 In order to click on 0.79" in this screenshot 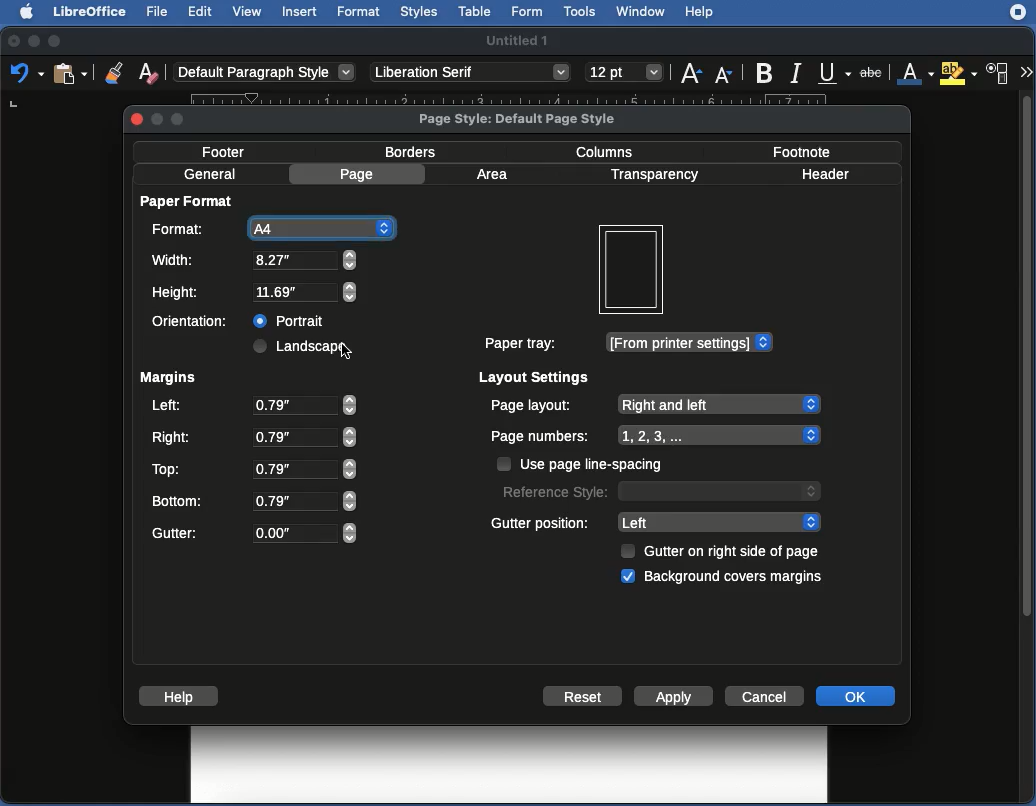, I will do `click(303, 437)`.